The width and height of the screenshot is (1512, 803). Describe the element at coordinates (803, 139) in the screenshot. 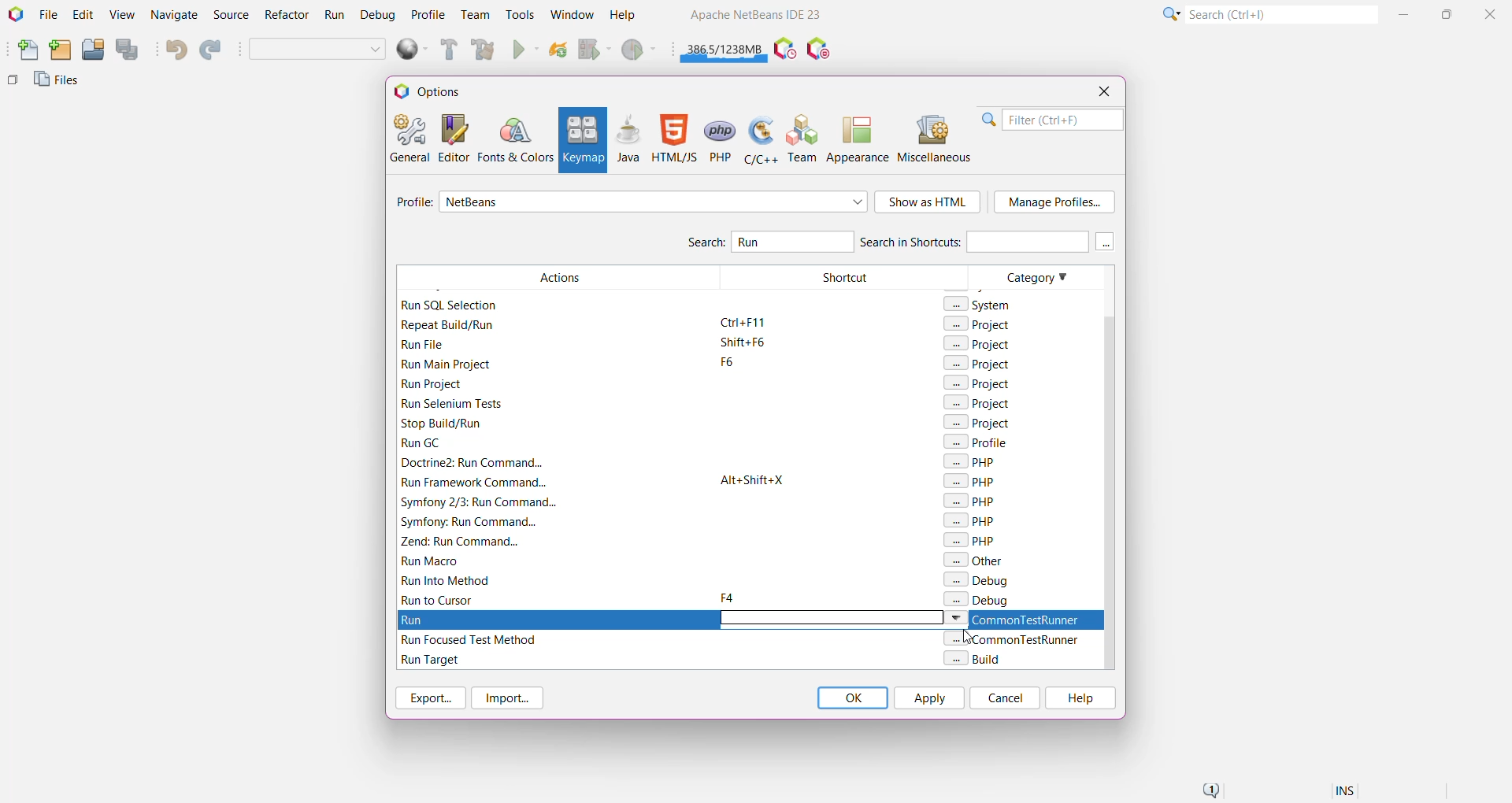

I see `Team` at that location.